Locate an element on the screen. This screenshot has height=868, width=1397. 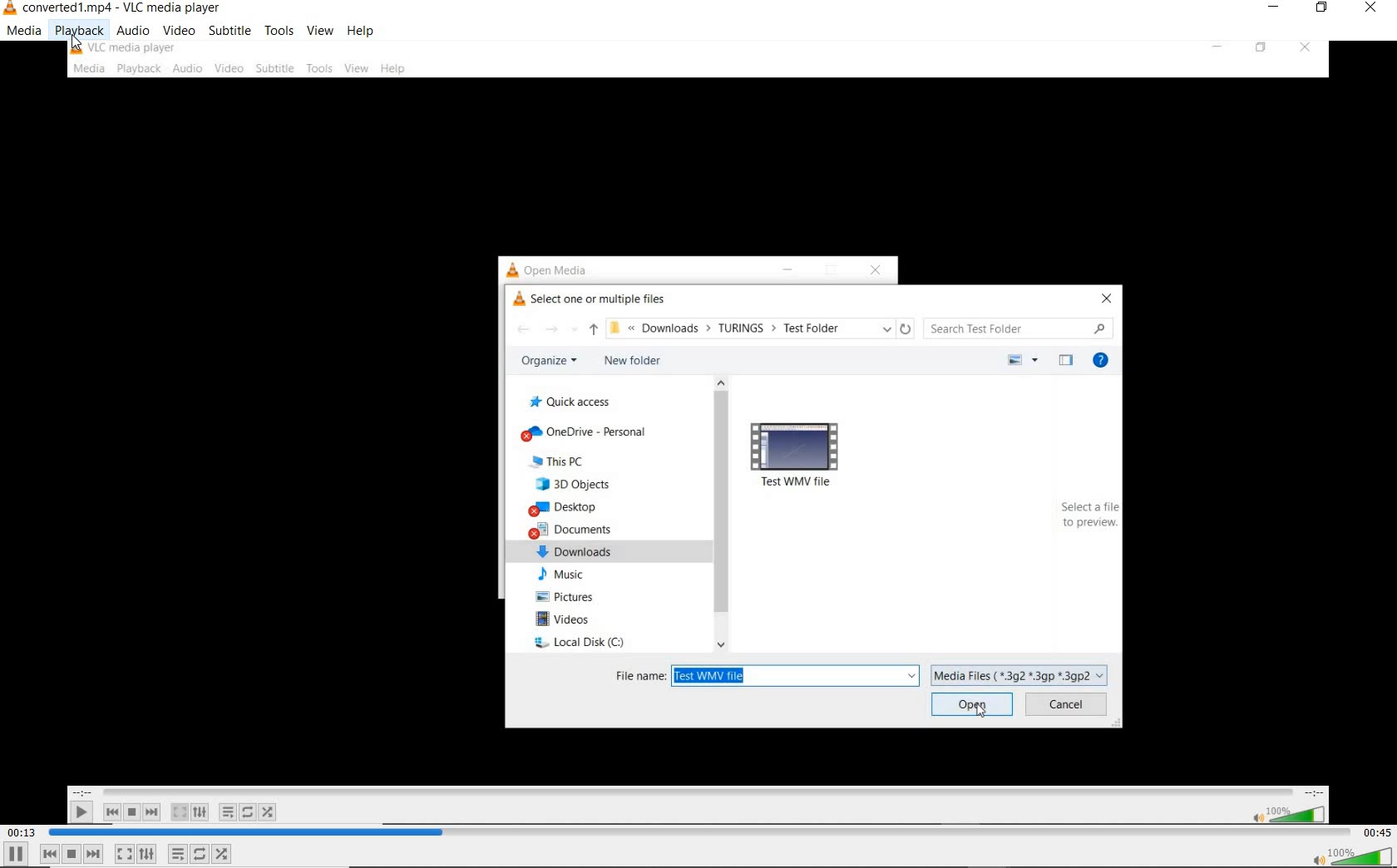
subtitle is located at coordinates (231, 30).